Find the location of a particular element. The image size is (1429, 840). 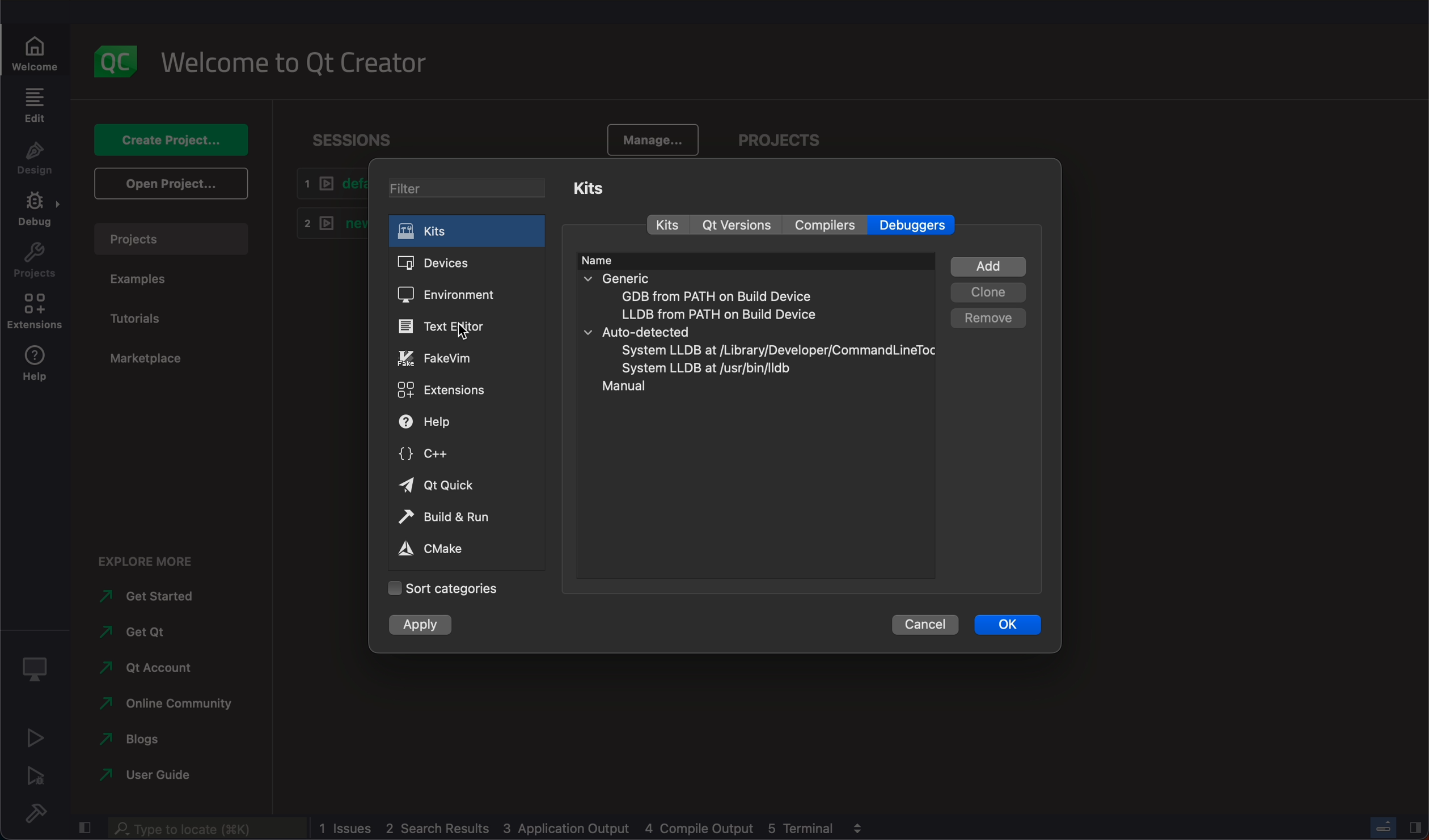

project is located at coordinates (35, 262).